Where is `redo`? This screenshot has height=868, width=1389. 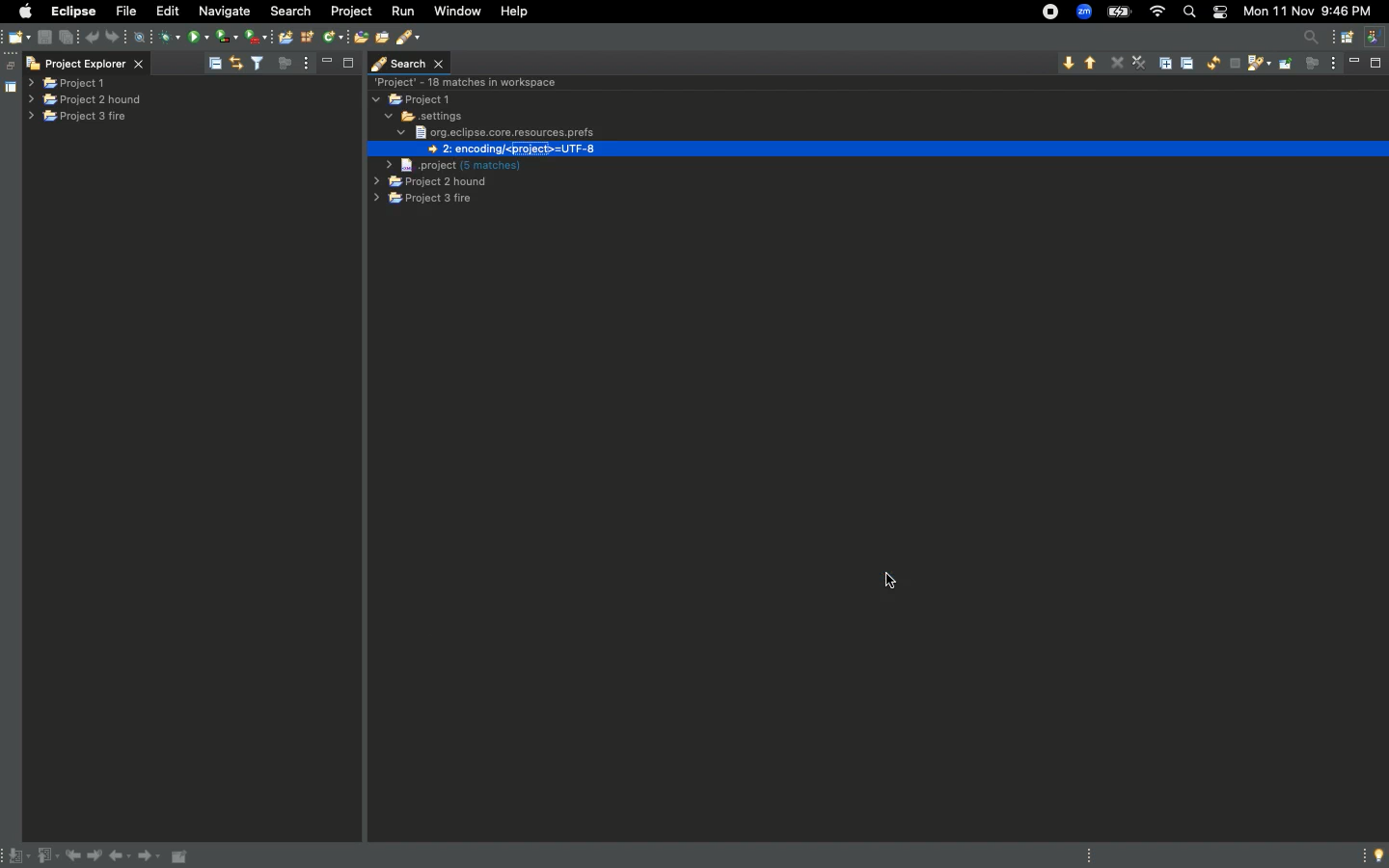 redo is located at coordinates (118, 35).